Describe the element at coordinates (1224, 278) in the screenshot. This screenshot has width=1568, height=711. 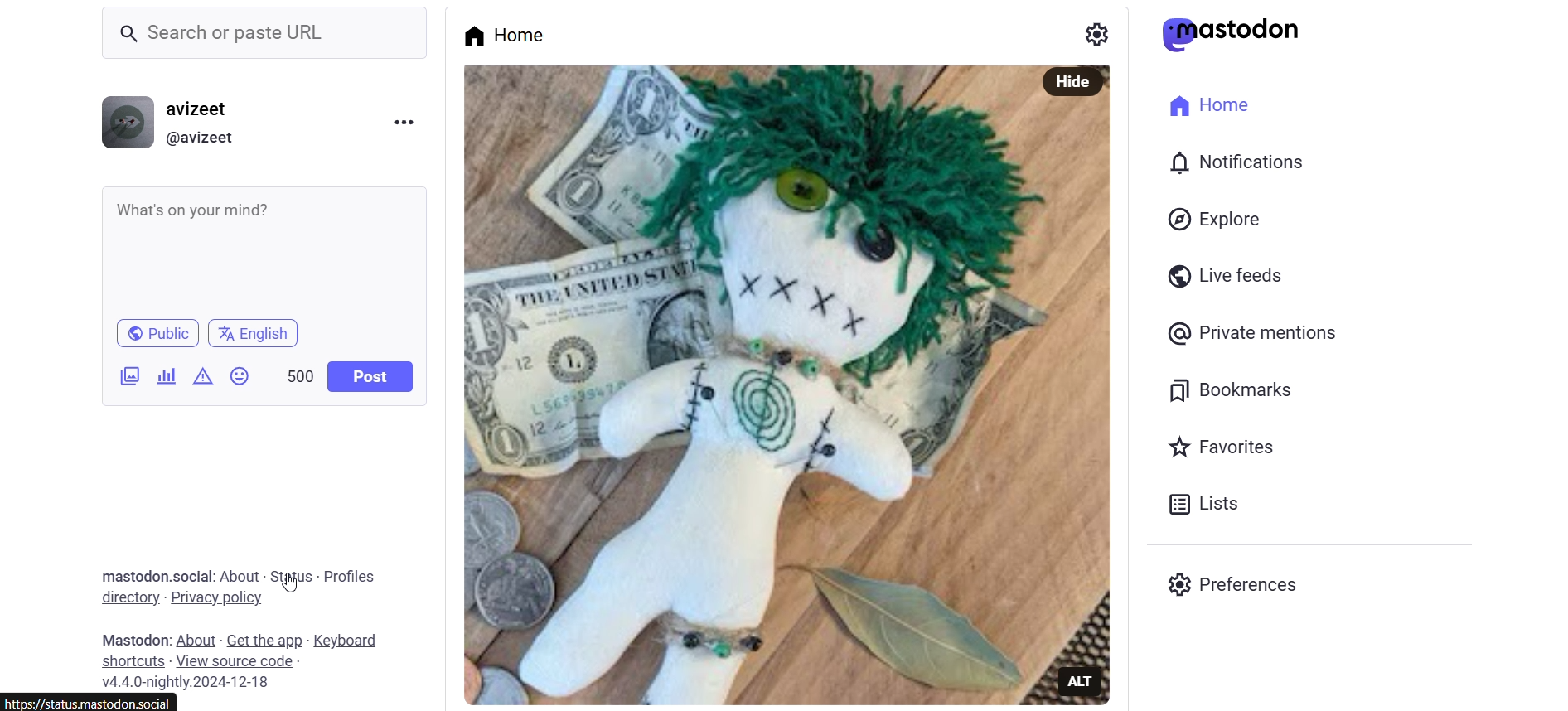
I see `Live Feeds` at that location.